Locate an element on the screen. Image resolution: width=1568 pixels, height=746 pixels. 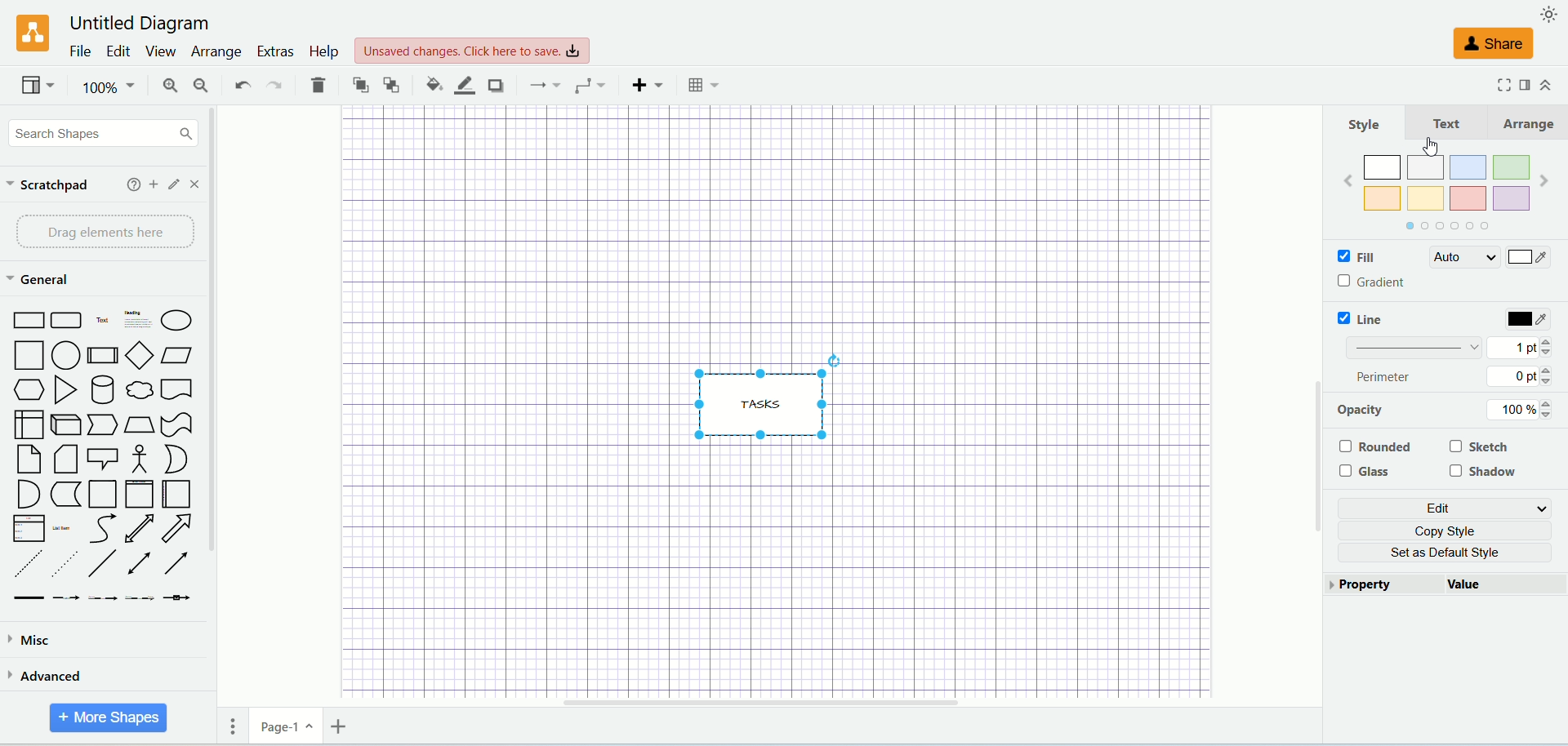
view is located at coordinates (158, 51).